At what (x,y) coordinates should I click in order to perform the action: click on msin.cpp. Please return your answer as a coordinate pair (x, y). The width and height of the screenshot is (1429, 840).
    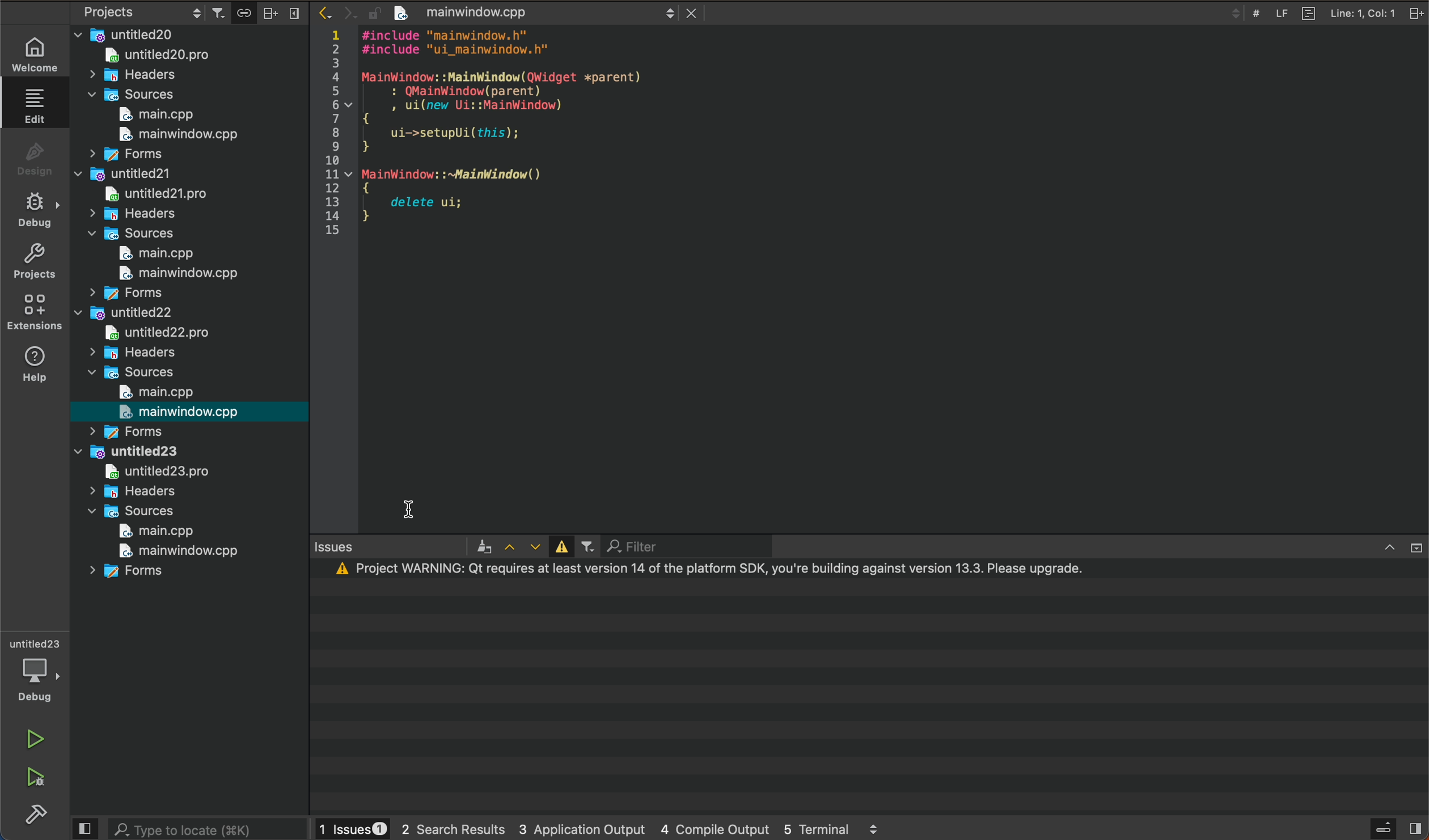
    Looking at the image, I should click on (153, 531).